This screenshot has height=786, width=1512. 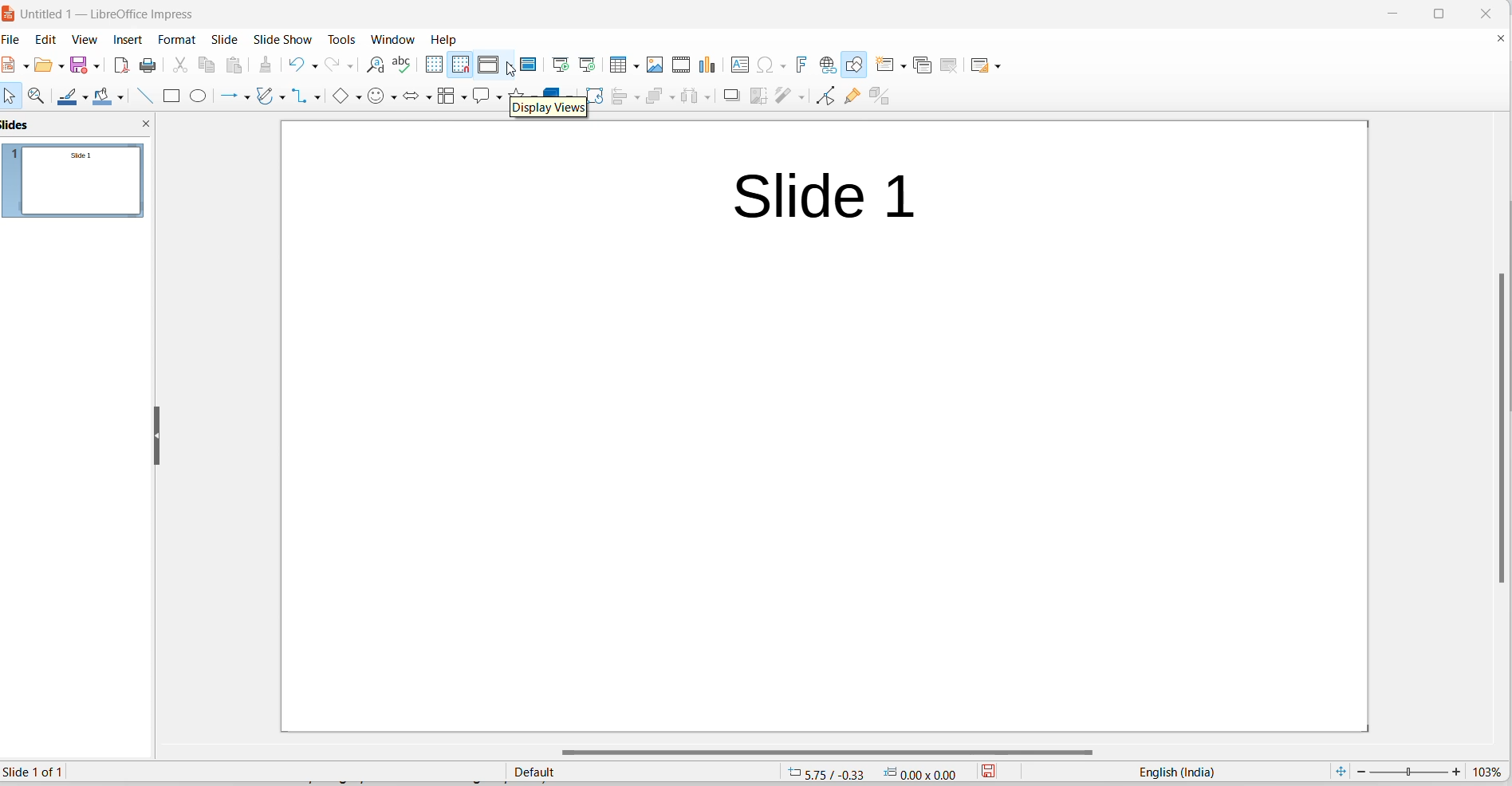 I want to click on insert images, so click(x=657, y=66).